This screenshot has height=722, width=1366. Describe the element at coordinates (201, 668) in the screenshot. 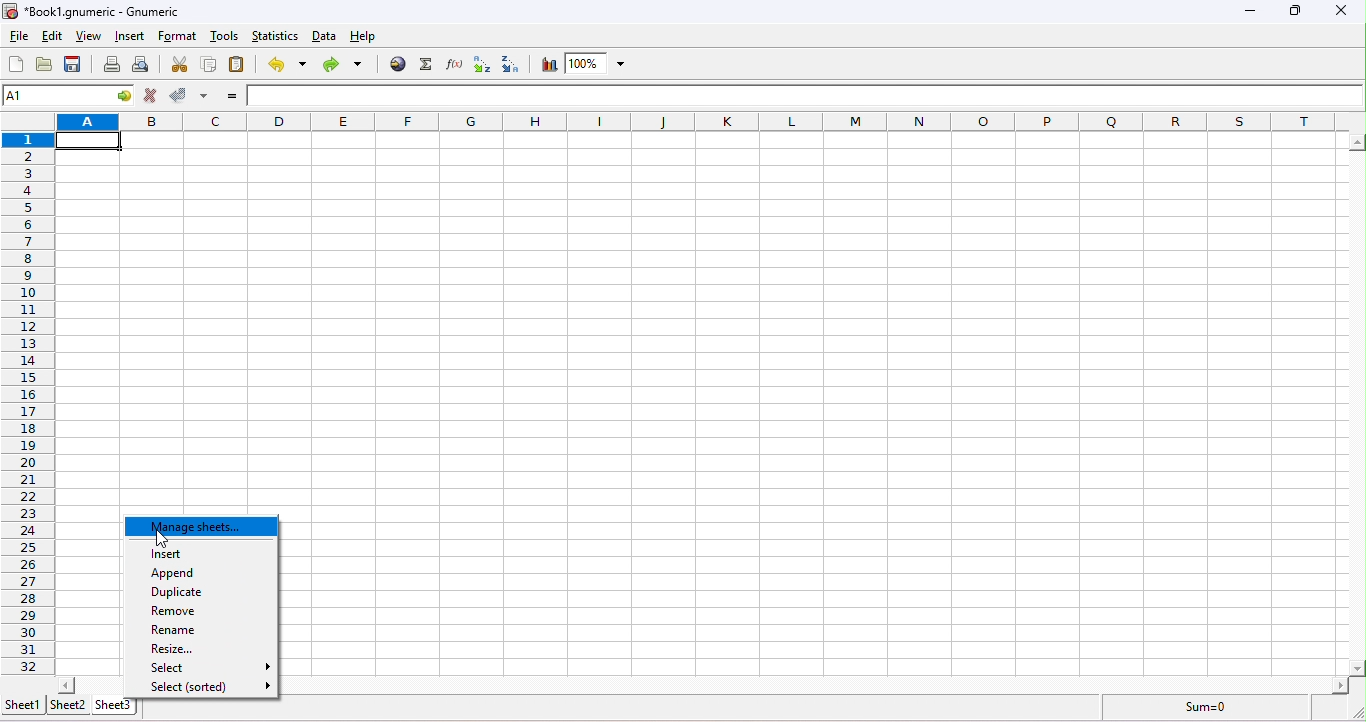

I see `select` at that location.